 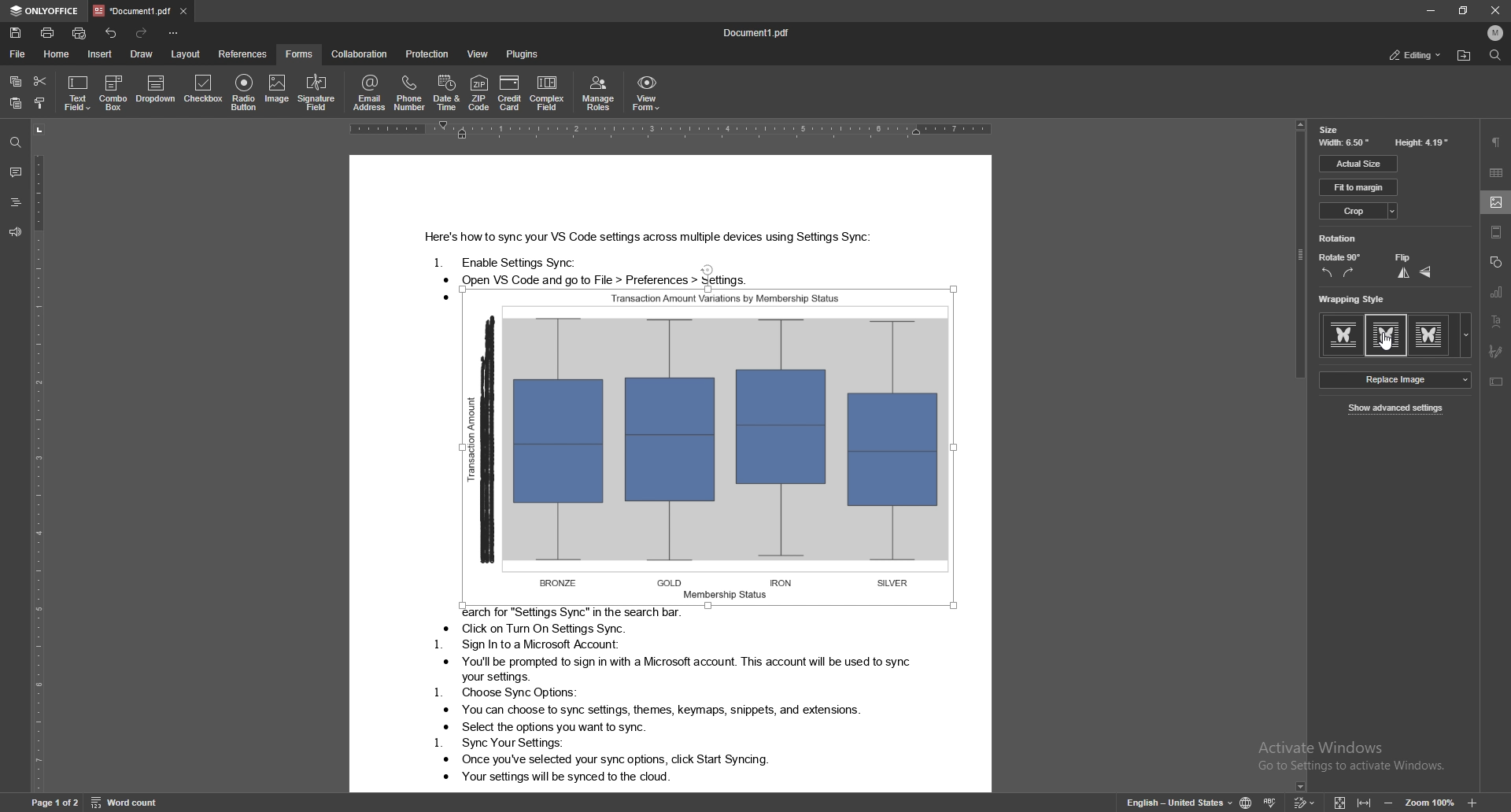 I want to click on undo, so click(x=113, y=33).